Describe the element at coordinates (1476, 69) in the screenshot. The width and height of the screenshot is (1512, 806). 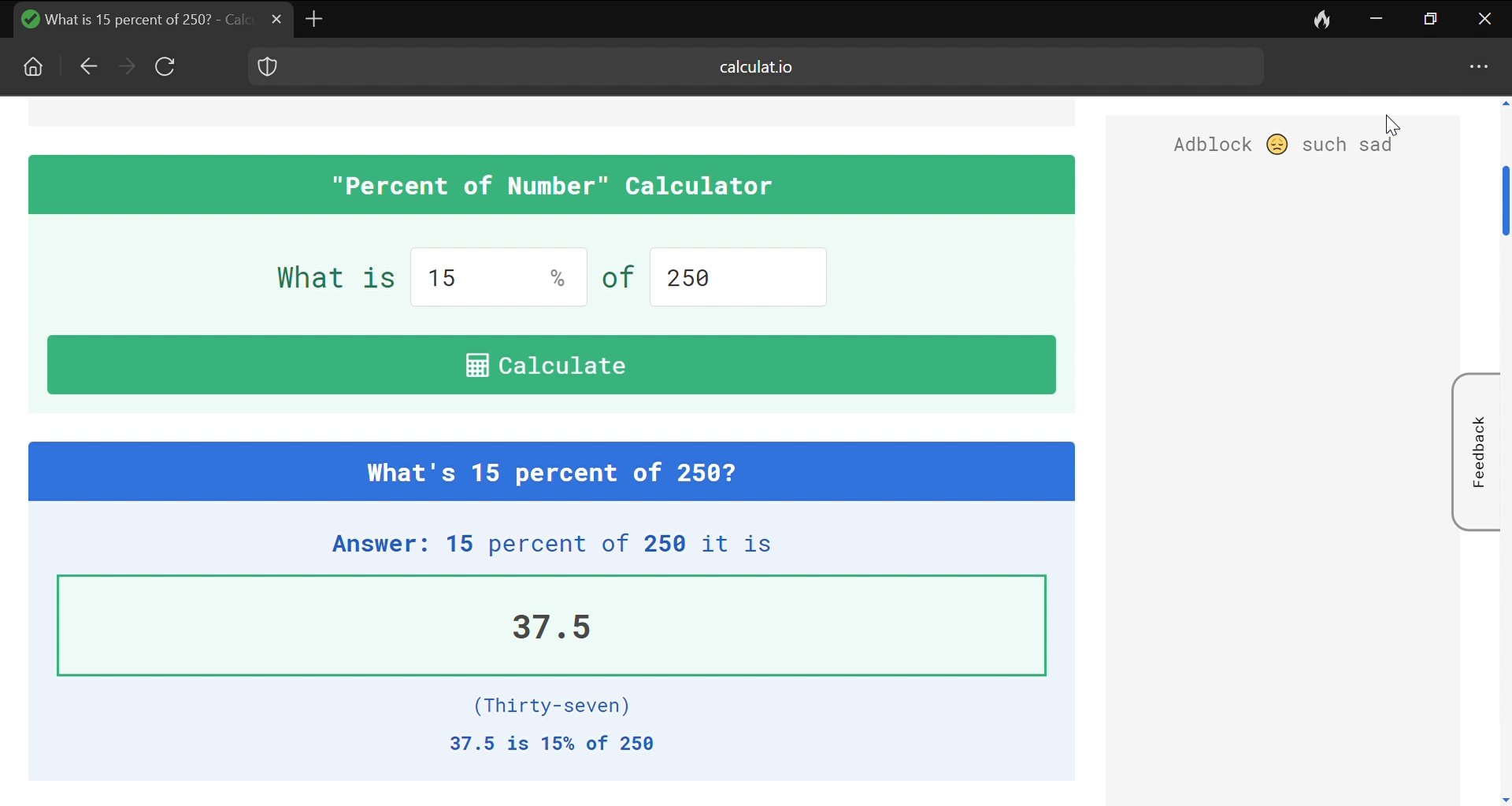
I see `options` at that location.